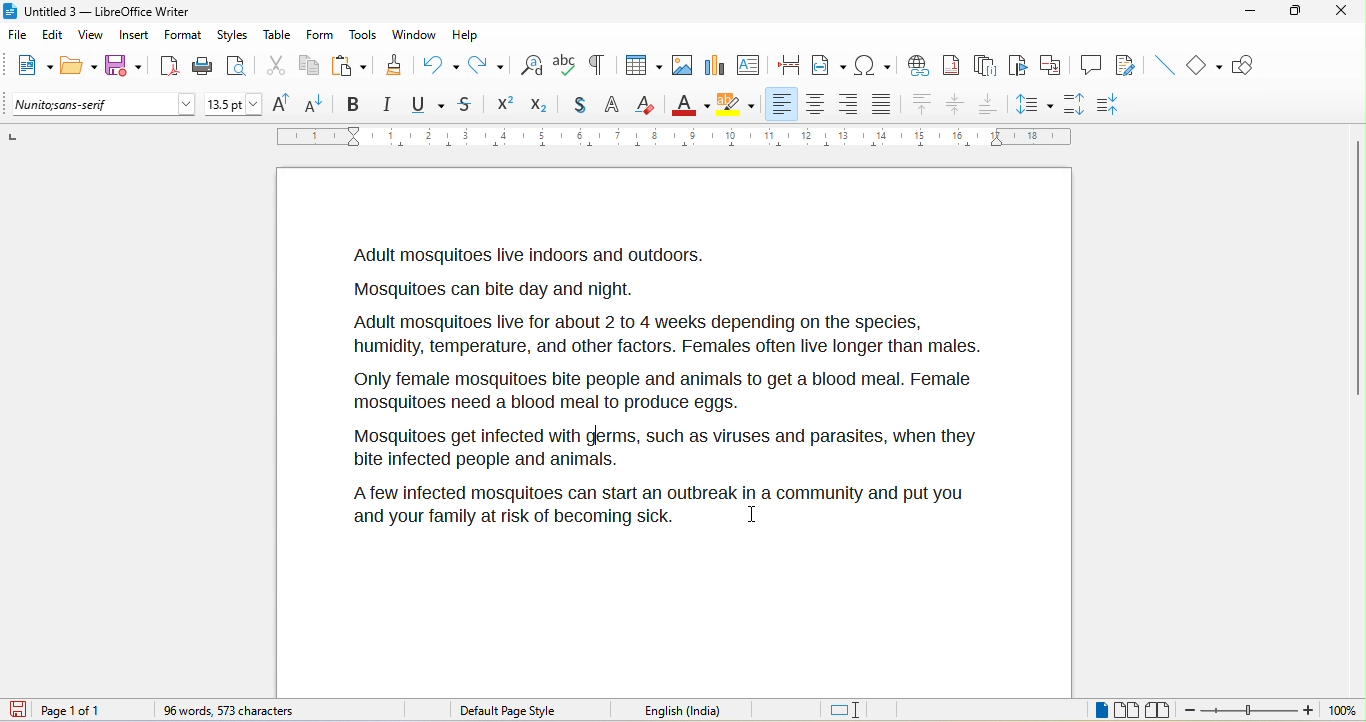 The width and height of the screenshot is (1366, 722). Describe the element at coordinates (690, 103) in the screenshot. I see `font color` at that location.